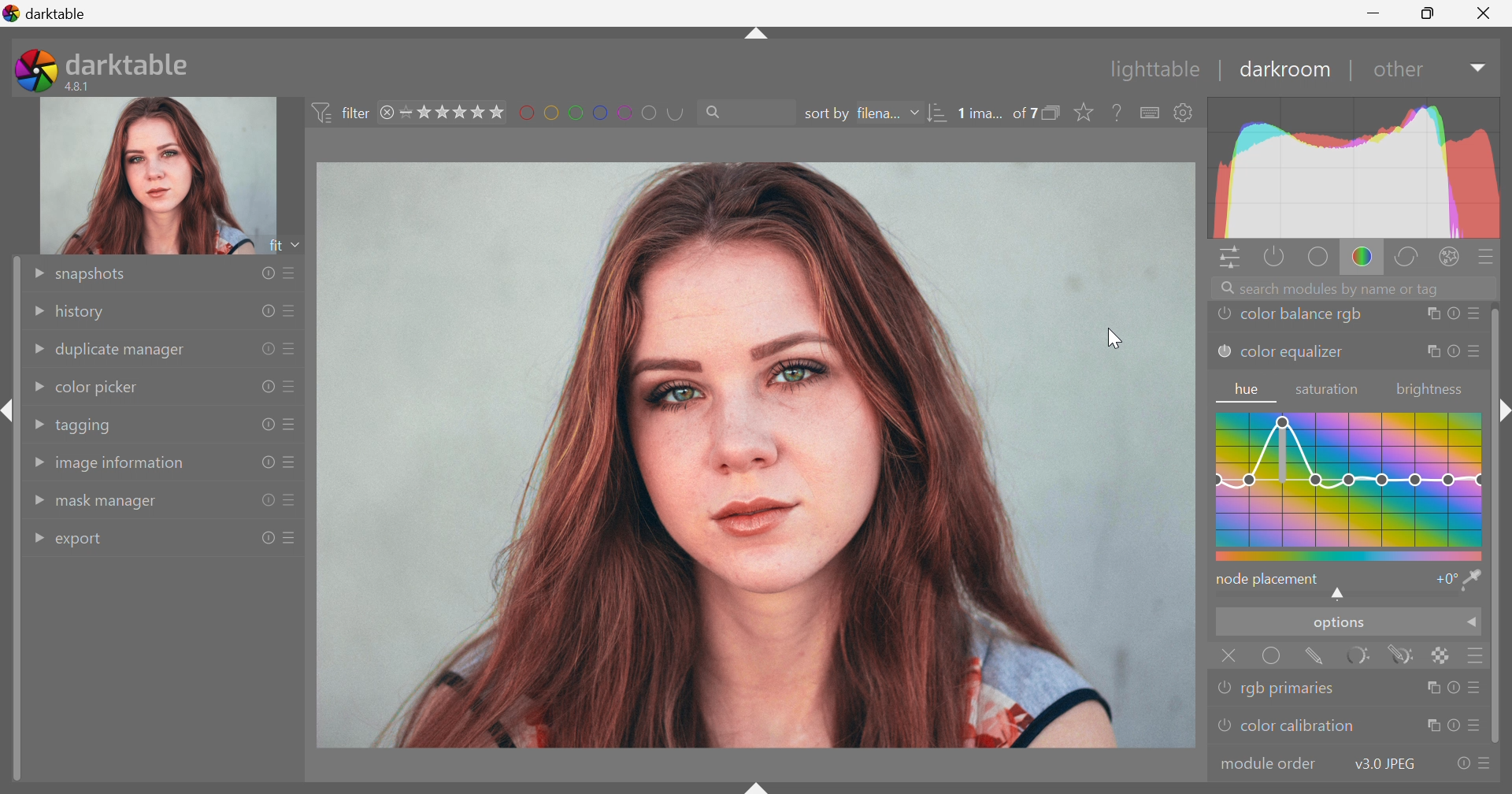 The image size is (1512, 794). What do you see at coordinates (1273, 256) in the screenshot?
I see `show only active modules` at bounding box center [1273, 256].